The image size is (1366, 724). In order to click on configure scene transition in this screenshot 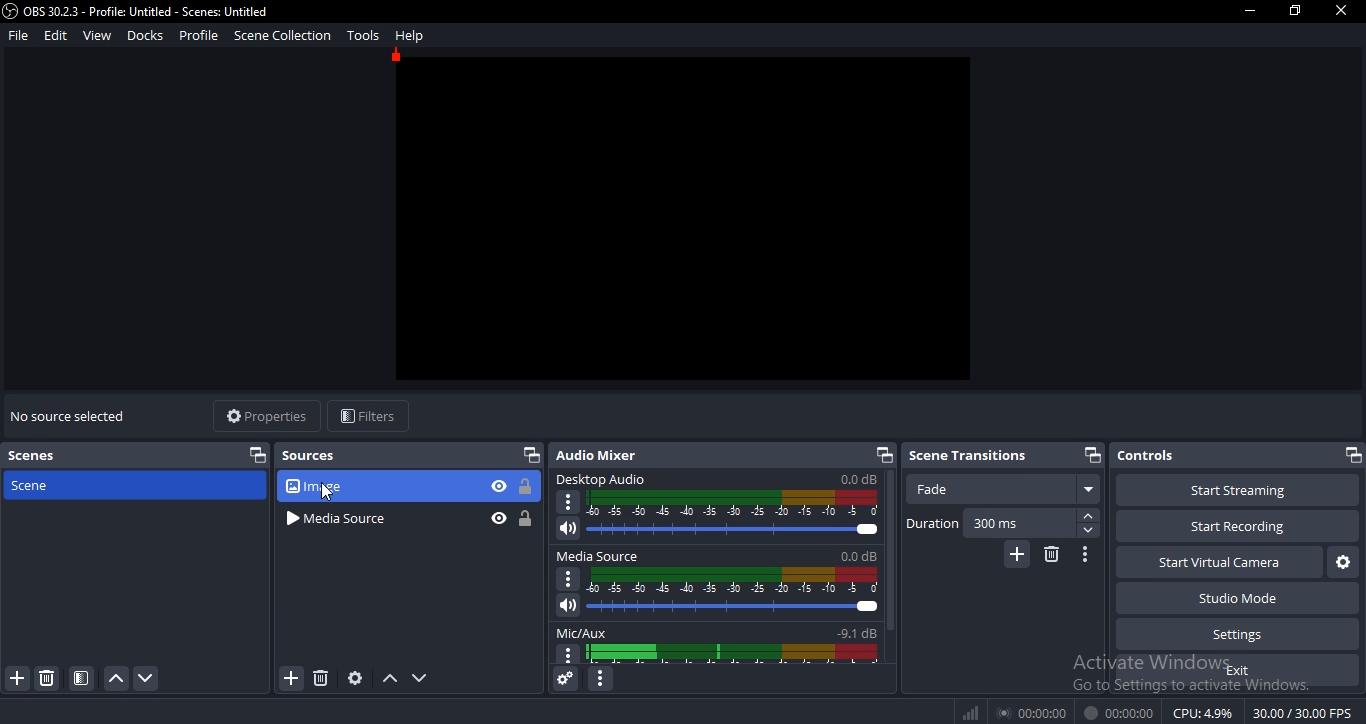, I will do `click(1083, 555)`.